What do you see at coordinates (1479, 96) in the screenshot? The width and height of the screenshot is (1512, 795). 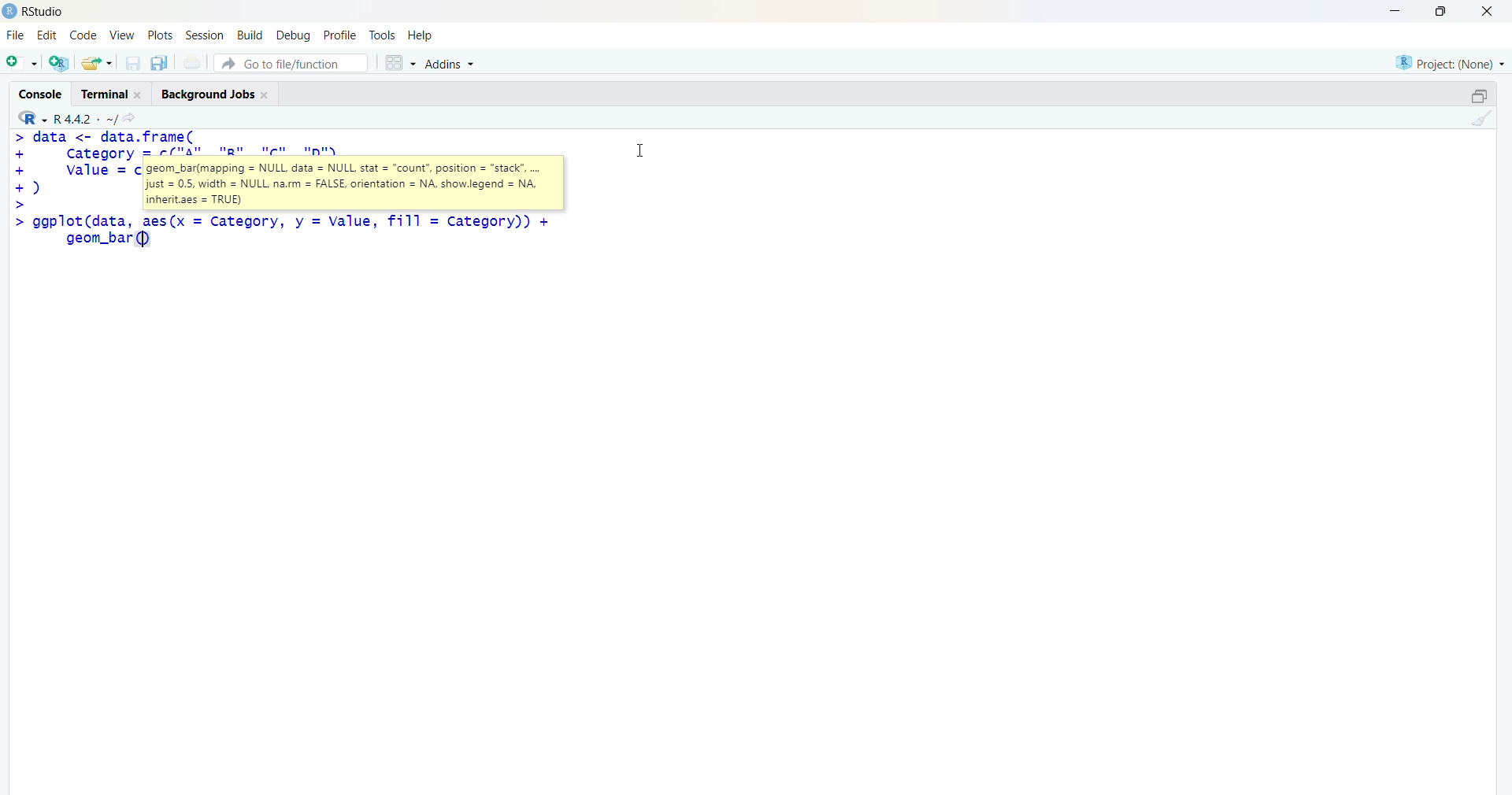 I see `maximize` at bounding box center [1479, 96].